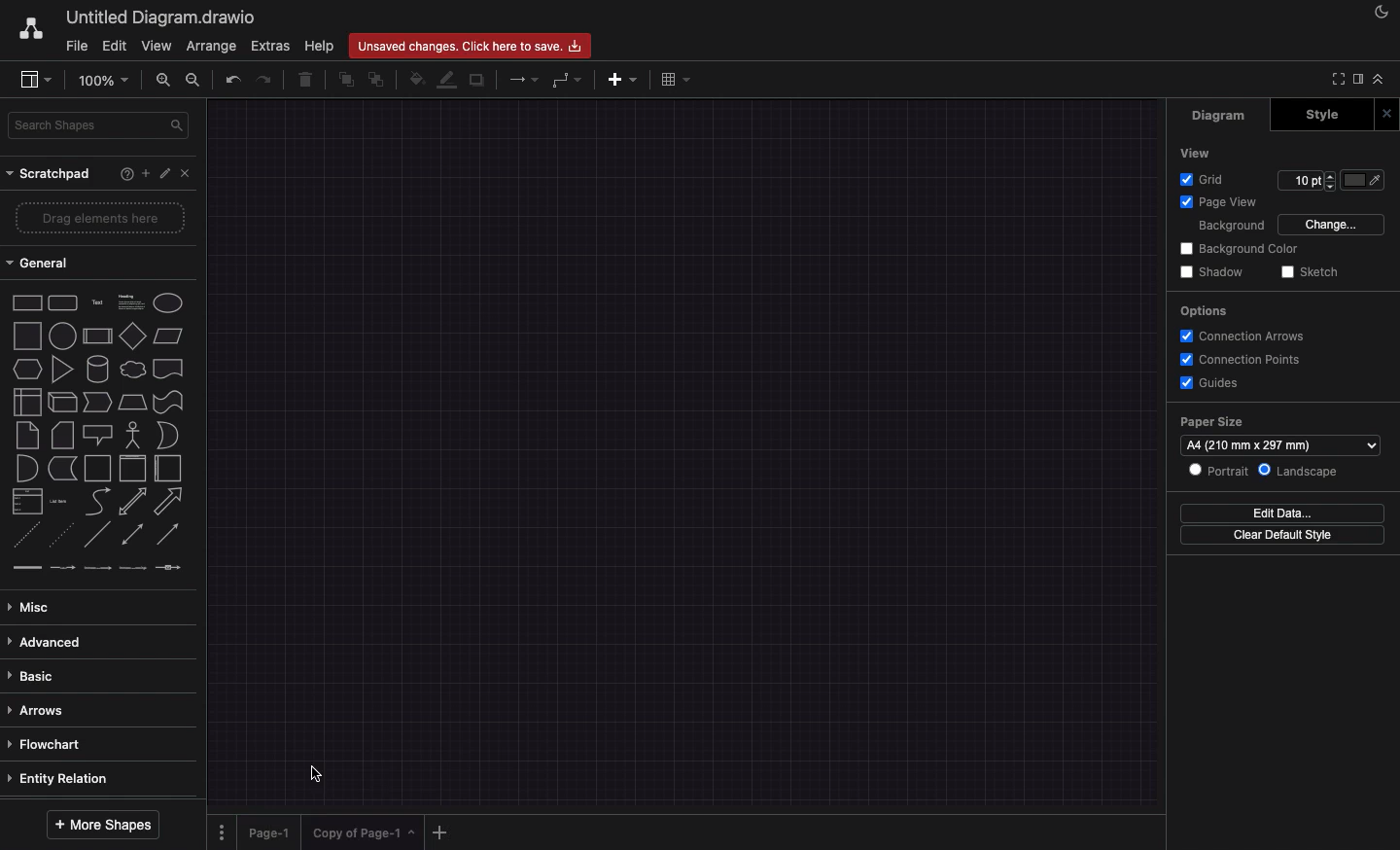 Image resolution: width=1400 pixels, height=850 pixels. What do you see at coordinates (1332, 225) in the screenshot?
I see `change` at bounding box center [1332, 225].